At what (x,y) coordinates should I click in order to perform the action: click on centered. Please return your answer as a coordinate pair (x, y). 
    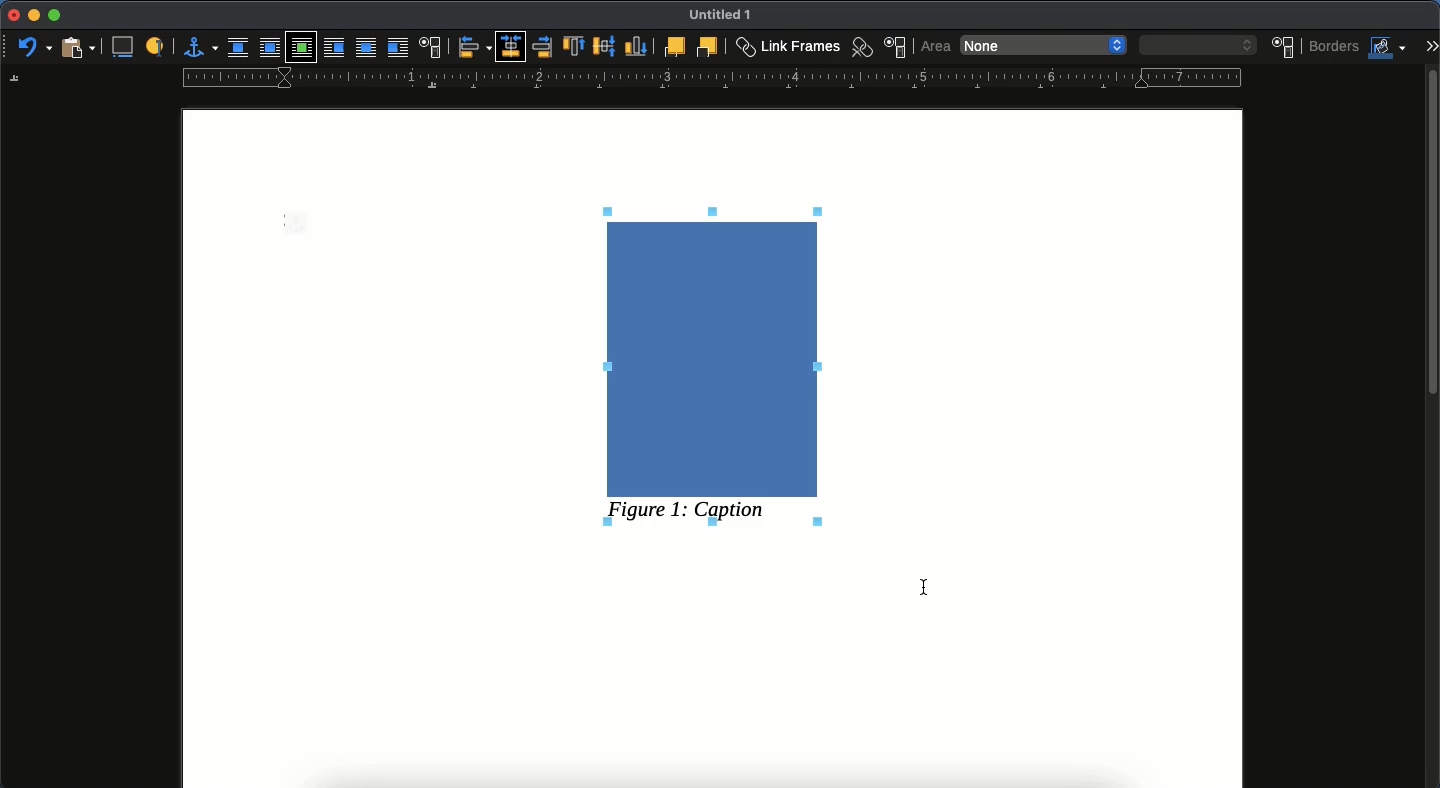
    Looking at the image, I should click on (510, 46).